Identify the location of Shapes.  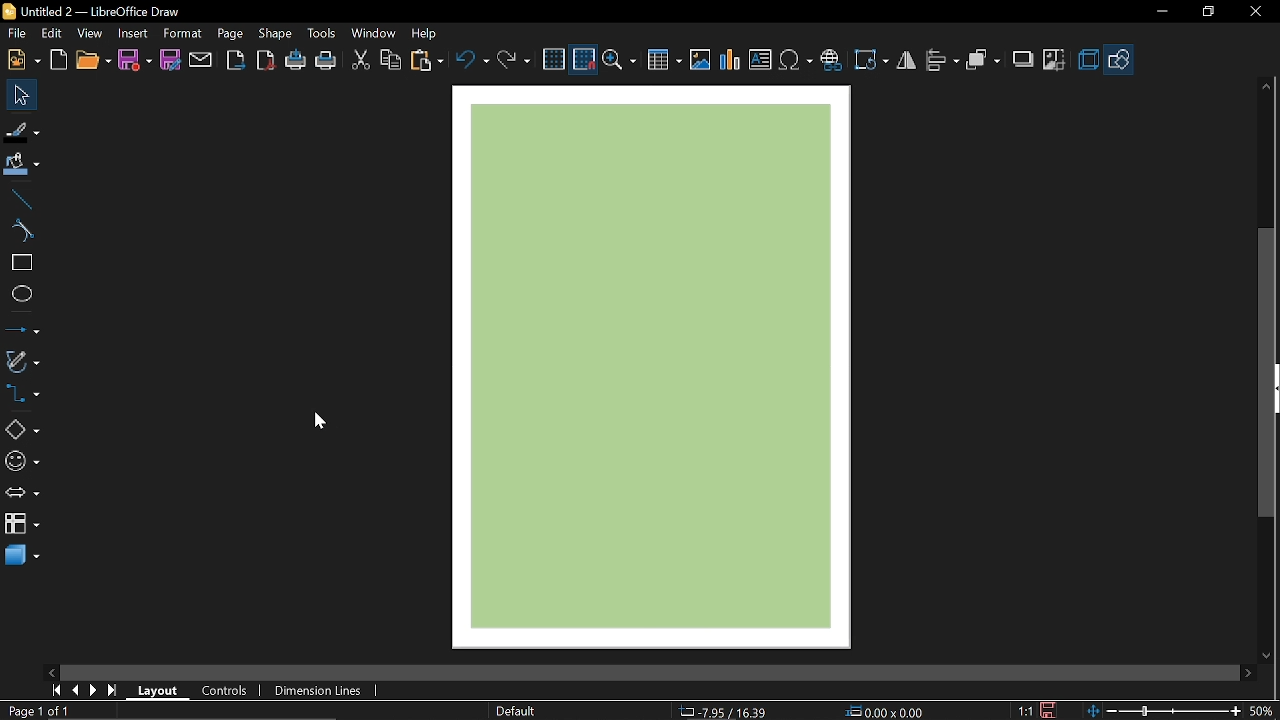
(22, 428).